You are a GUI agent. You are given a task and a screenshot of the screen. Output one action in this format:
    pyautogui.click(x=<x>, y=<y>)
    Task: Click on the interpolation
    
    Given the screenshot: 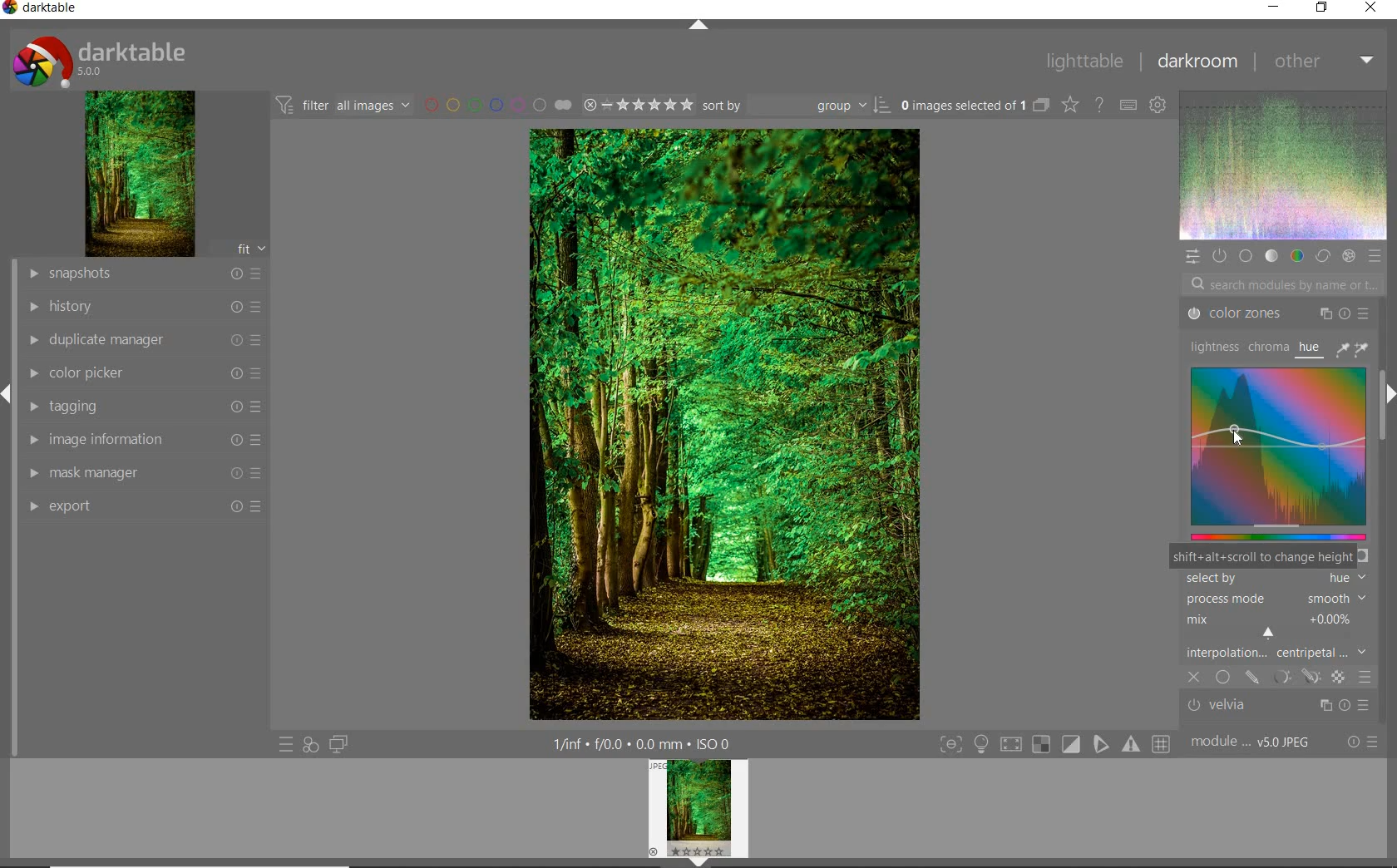 What is the action you would take?
    pyautogui.click(x=1281, y=654)
    